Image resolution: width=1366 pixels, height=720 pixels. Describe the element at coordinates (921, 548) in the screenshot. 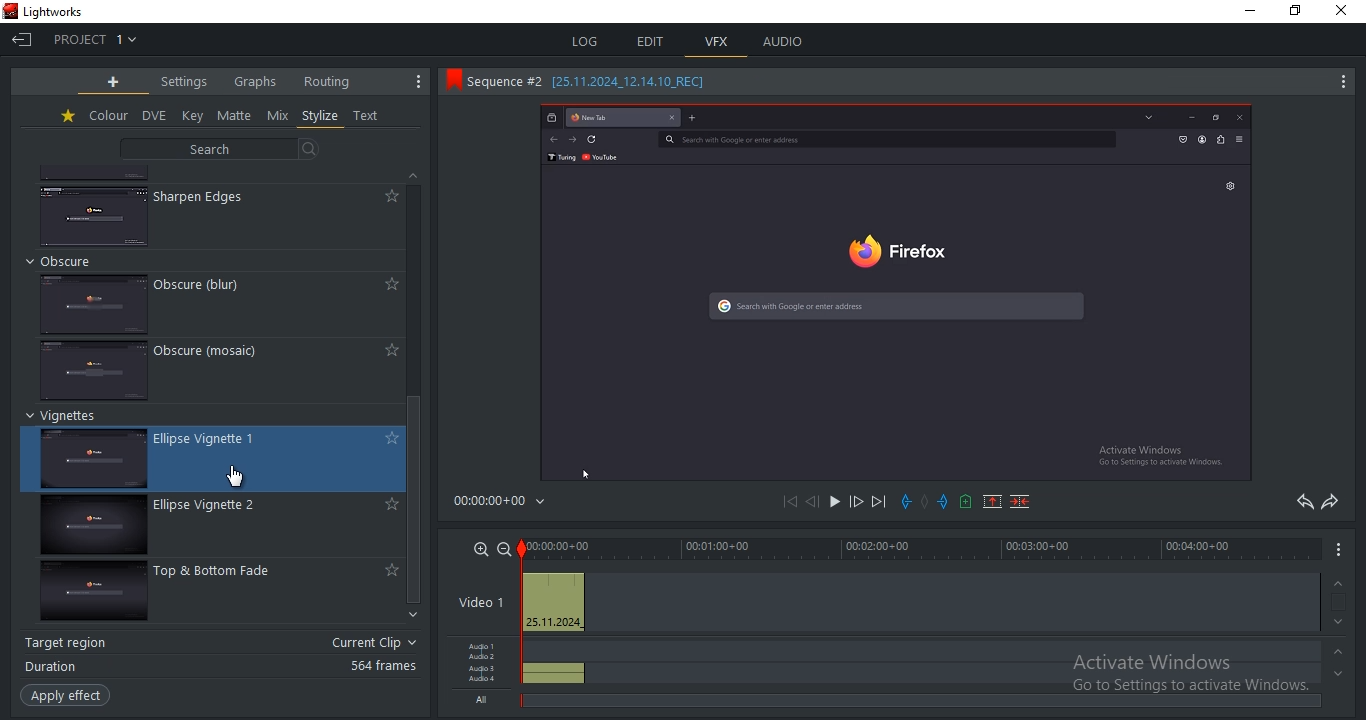

I see `timeline` at that location.